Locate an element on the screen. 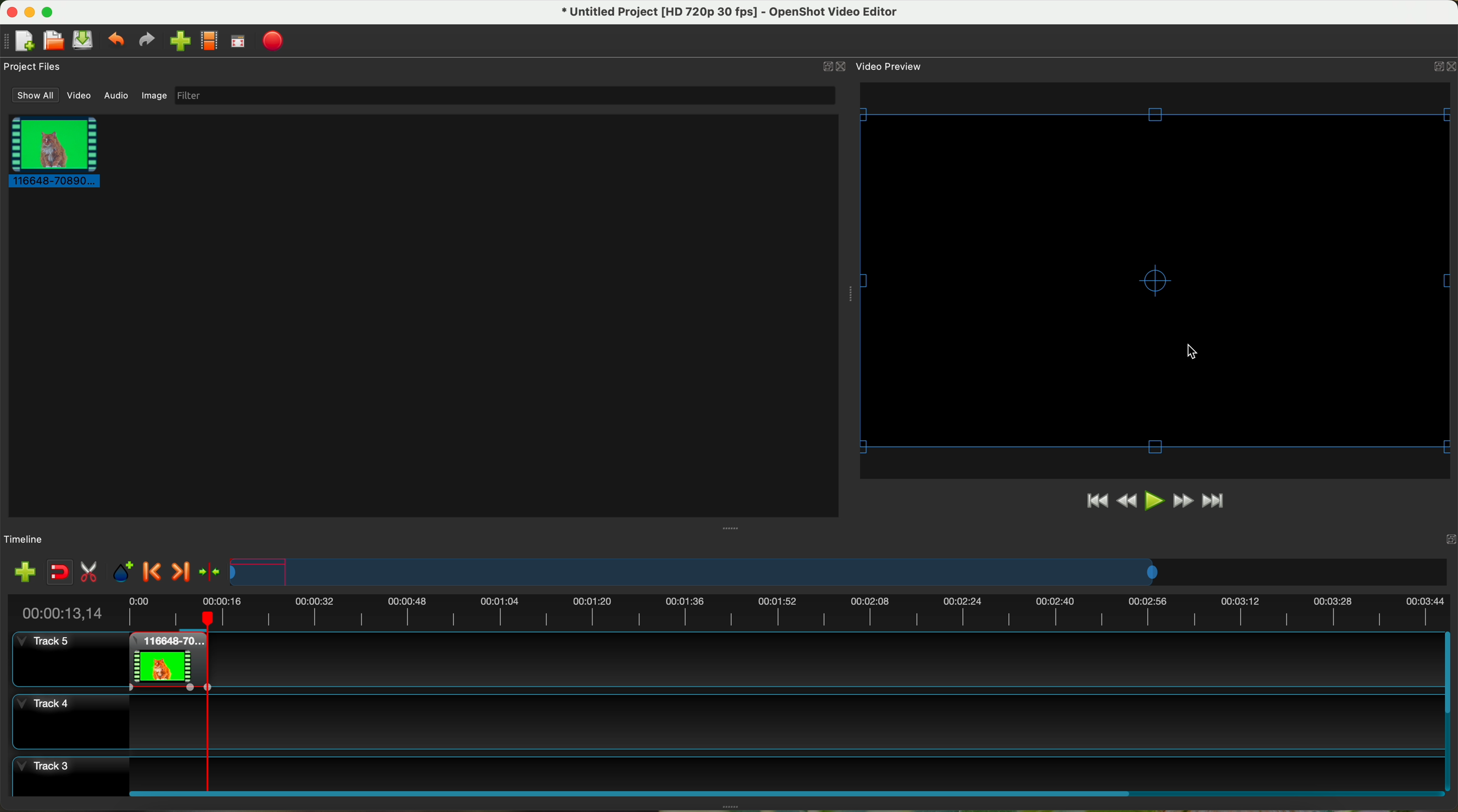  undo is located at coordinates (115, 38).